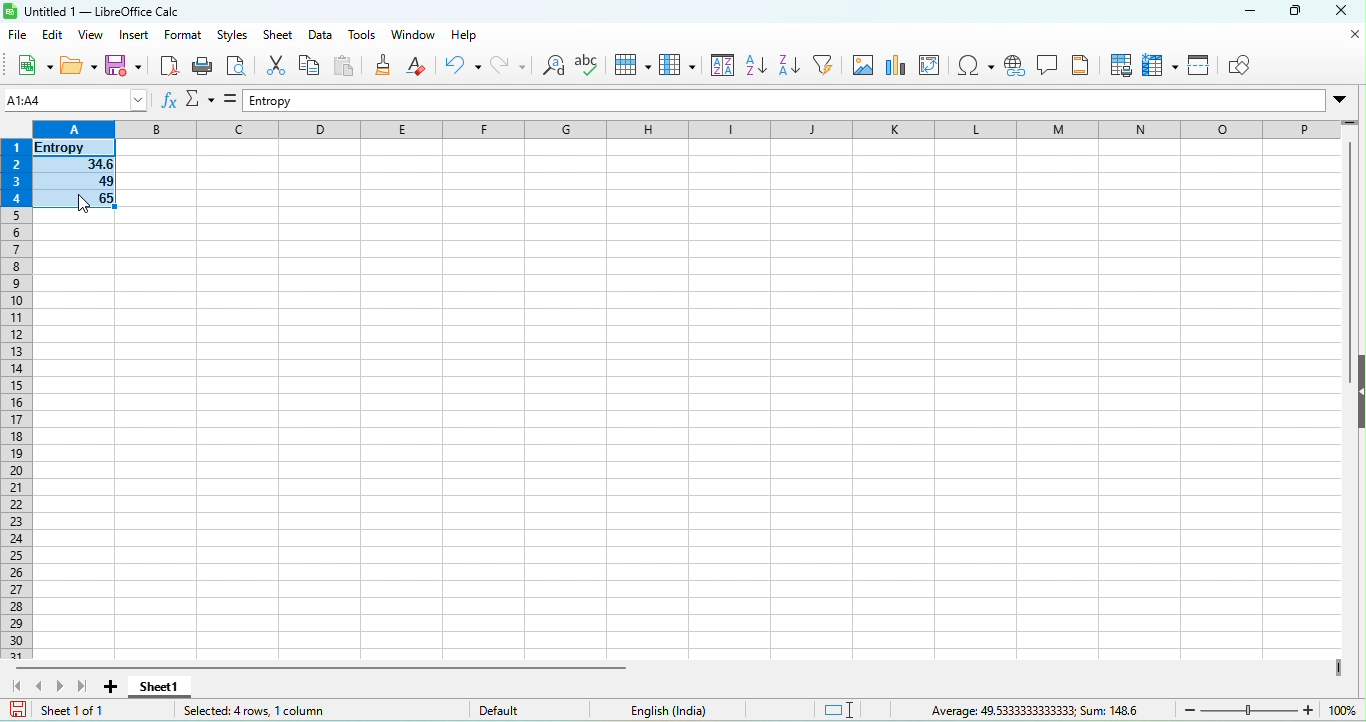 This screenshot has width=1366, height=722. What do you see at coordinates (318, 667) in the screenshot?
I see `horizontal scroll bar` at bounding box center [318, 667].